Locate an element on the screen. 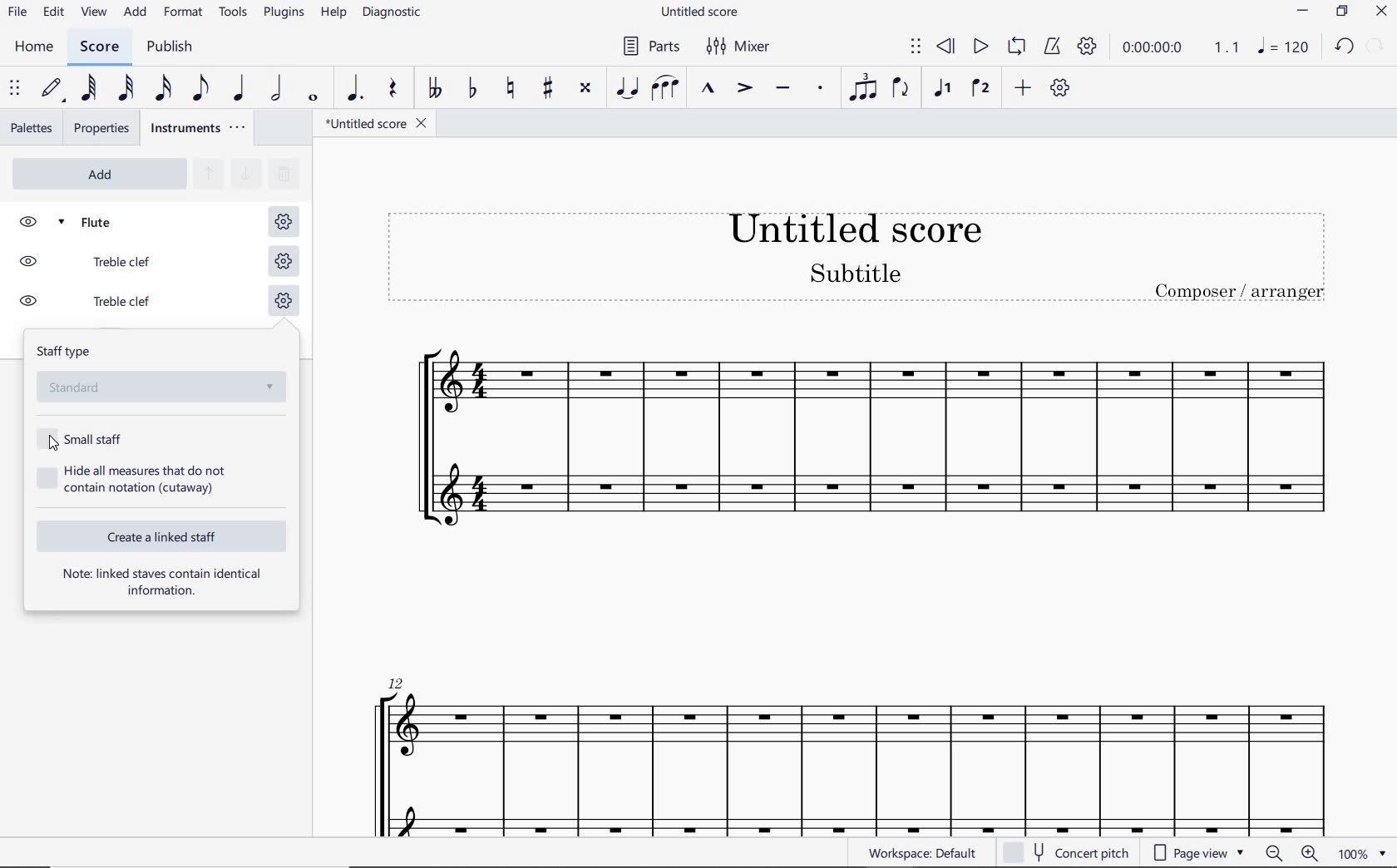 The width and height of the screenshot is (1397, 868). FLIP DIRECTION is located at coordinates (901, 91).